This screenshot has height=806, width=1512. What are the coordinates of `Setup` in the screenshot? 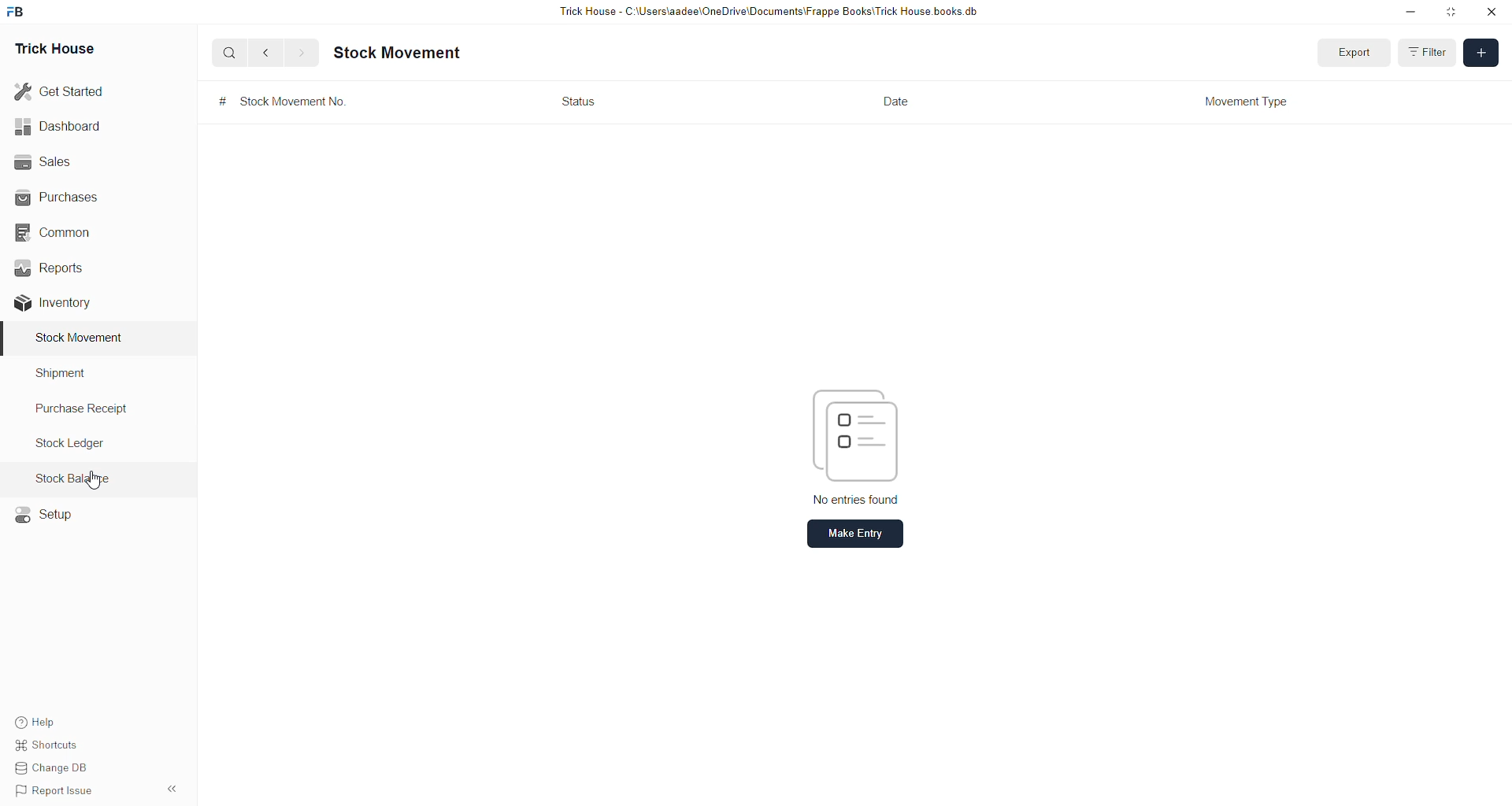 It's located at (52, 519).